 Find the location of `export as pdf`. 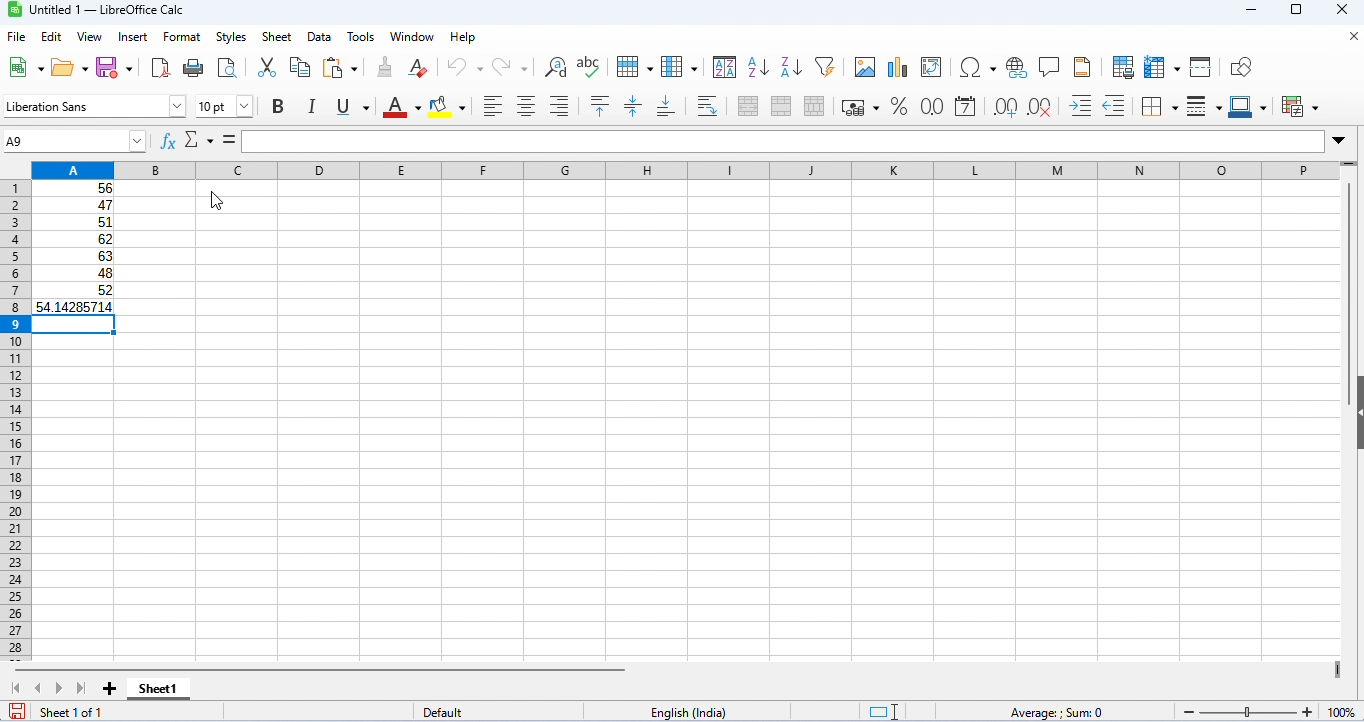

export as pdf is located at coordinates (160, 68).